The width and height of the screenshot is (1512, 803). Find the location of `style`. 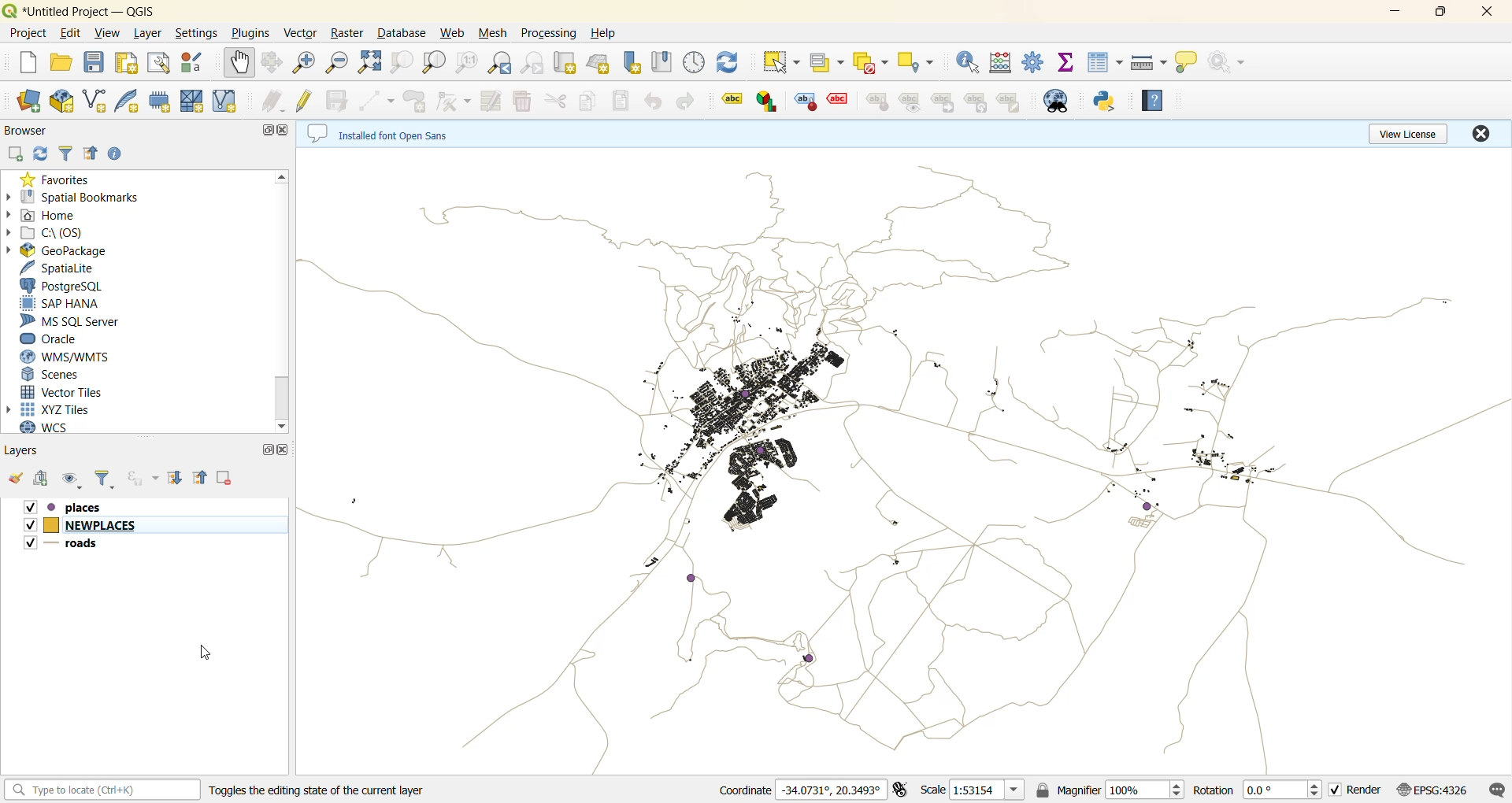

style is located at coordinates (806, 102).